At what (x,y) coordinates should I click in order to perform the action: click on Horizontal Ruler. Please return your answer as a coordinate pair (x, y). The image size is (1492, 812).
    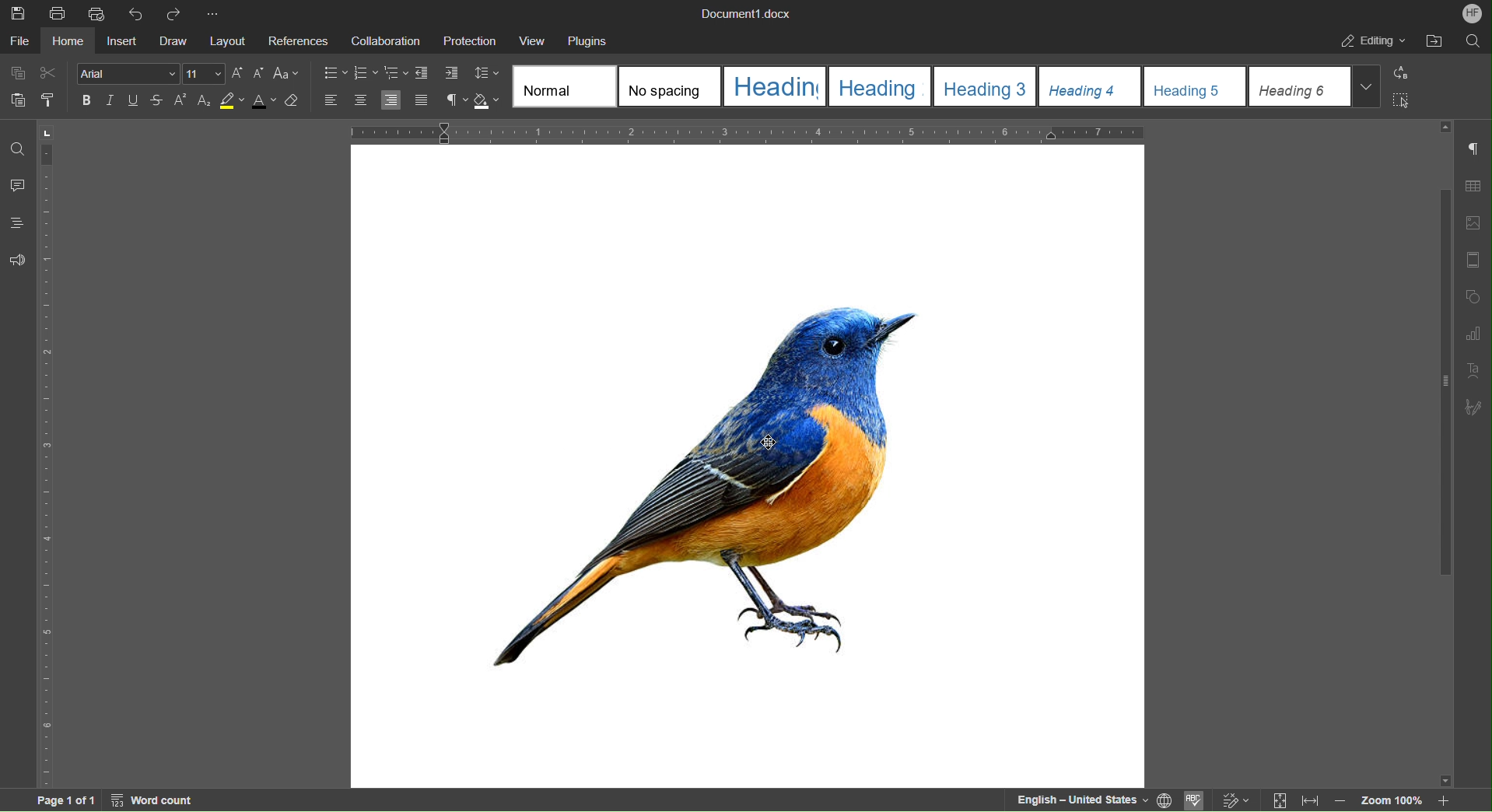
    Looking at the image, I should click on (751, 130).